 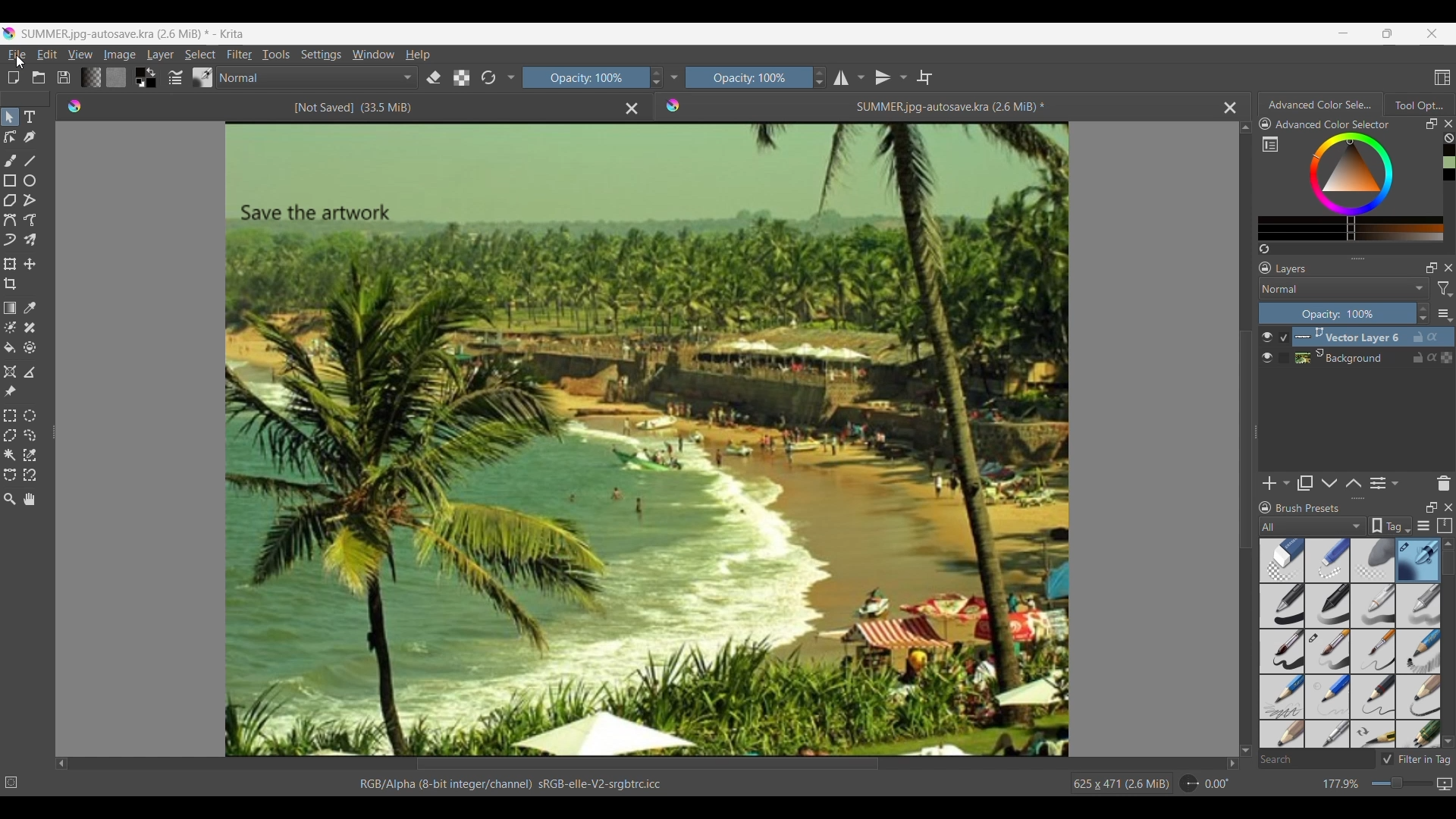 What do you see at coordinates (9, 499) in the screenshot?
I see `Zoom tool` at bounding box center [9, 499].